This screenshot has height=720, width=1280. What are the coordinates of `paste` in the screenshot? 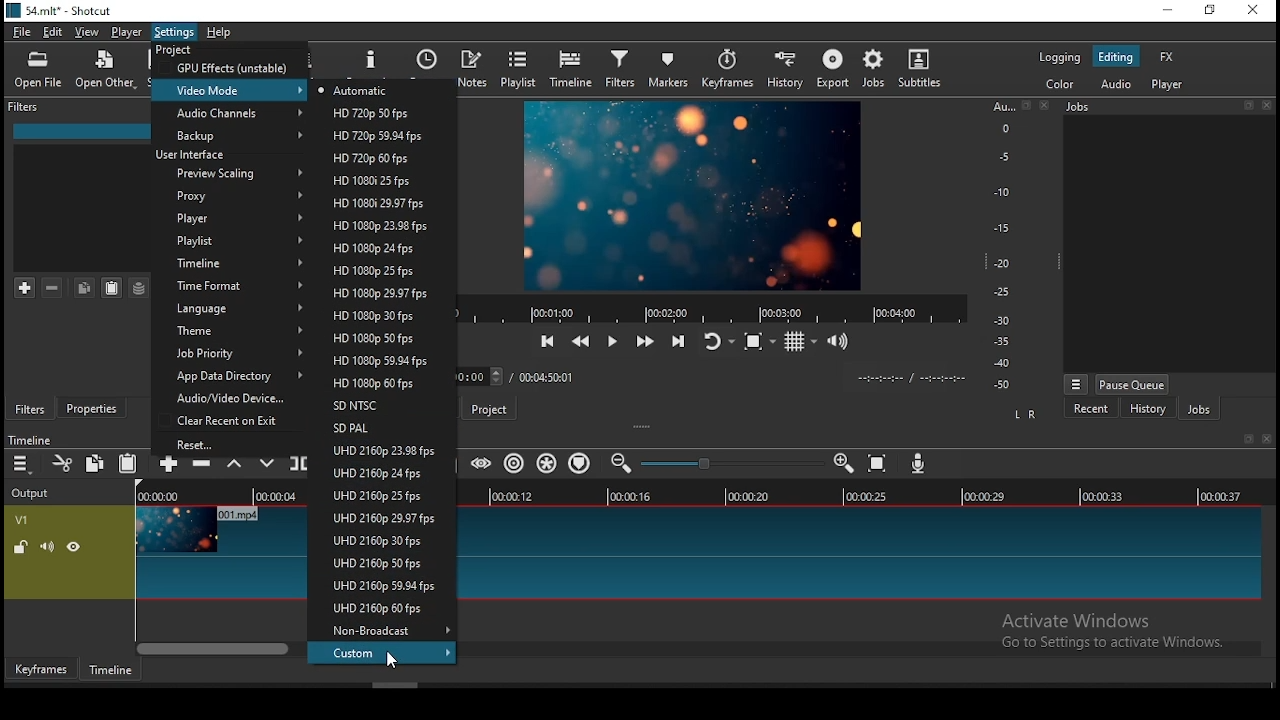 It's located at (112, 288).